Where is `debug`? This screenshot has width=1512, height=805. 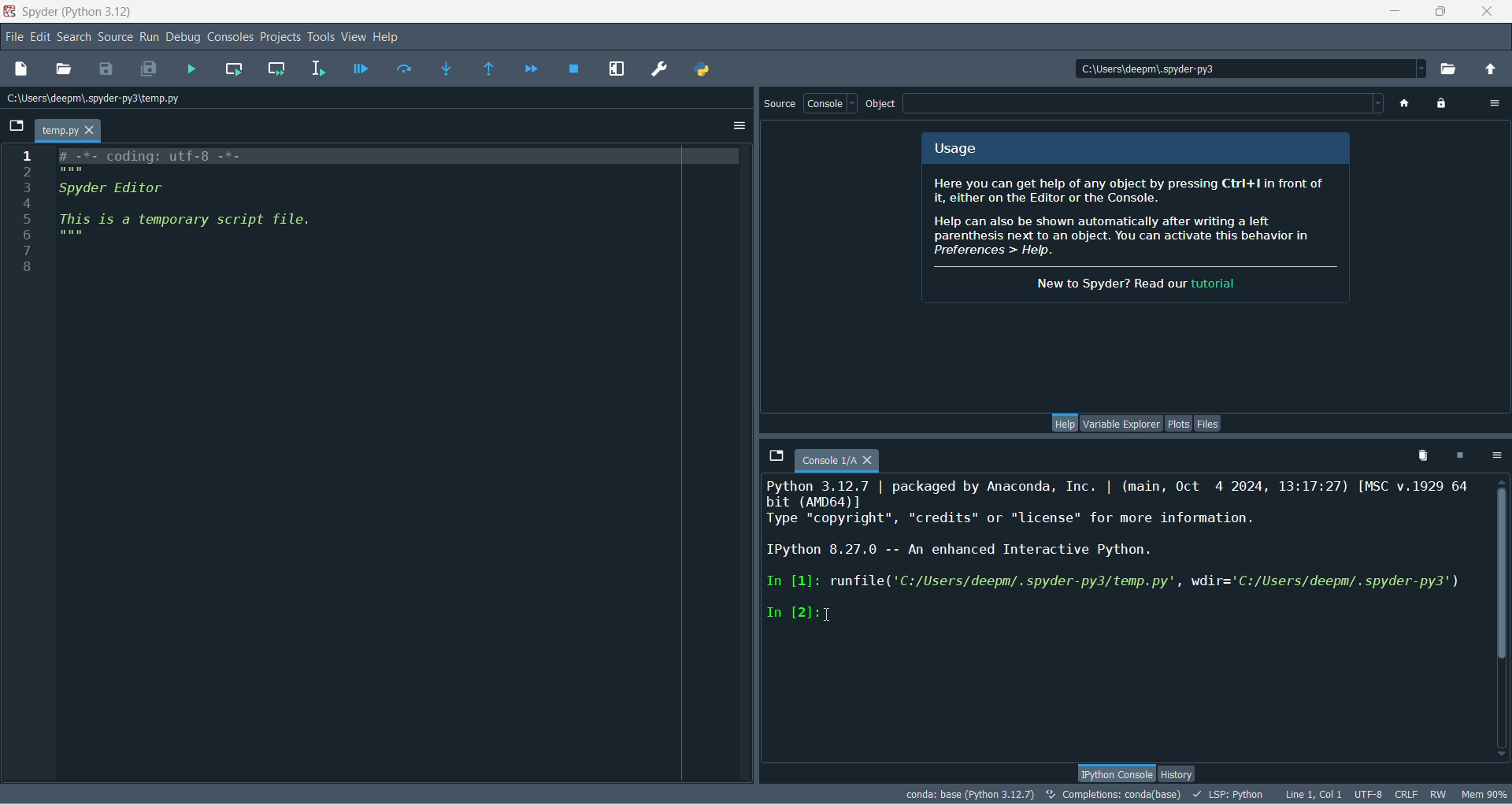 debug is located at coordinates (183, 38).